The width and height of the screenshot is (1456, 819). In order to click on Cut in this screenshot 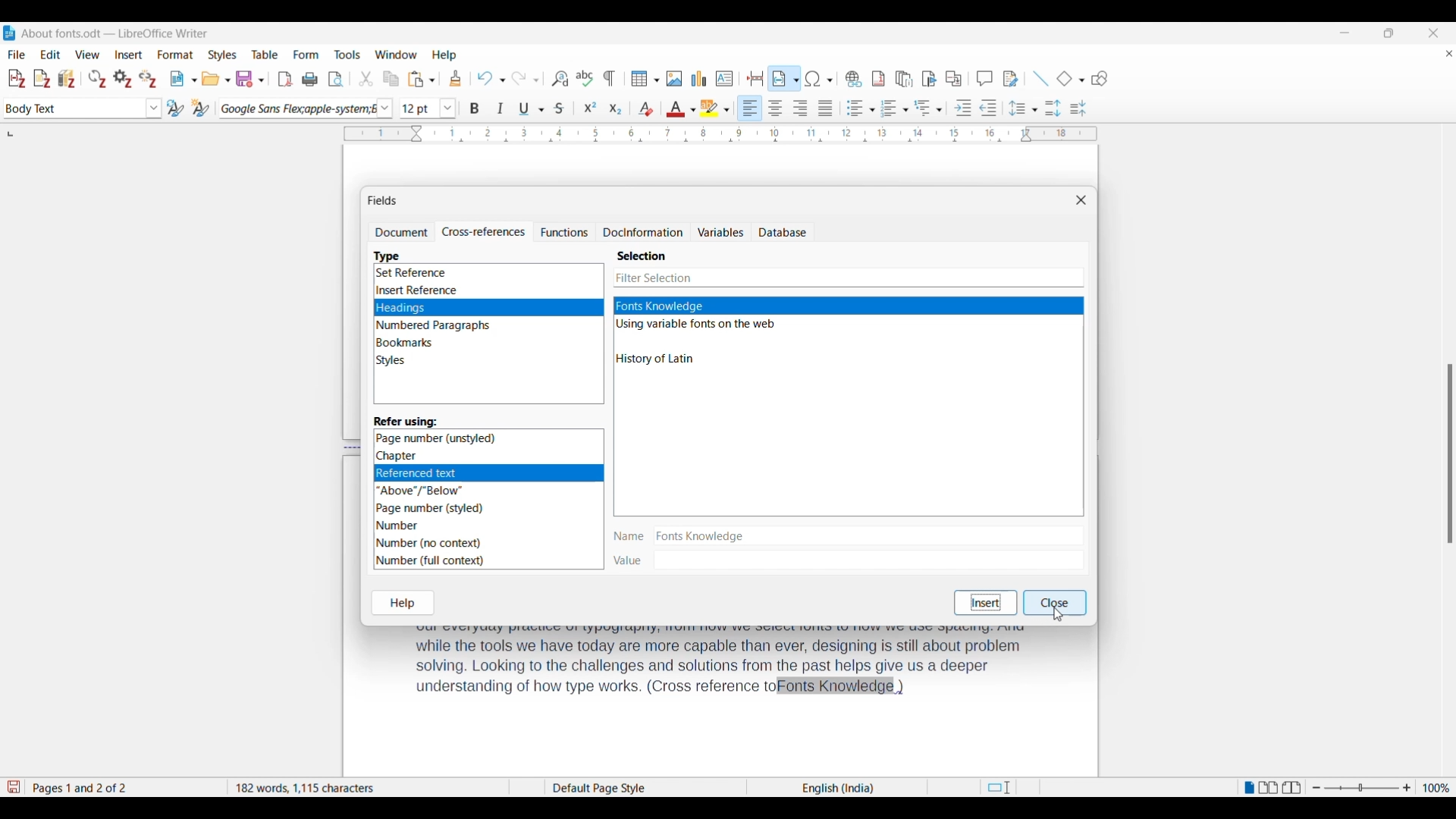, I will do `click(366, 78)`.